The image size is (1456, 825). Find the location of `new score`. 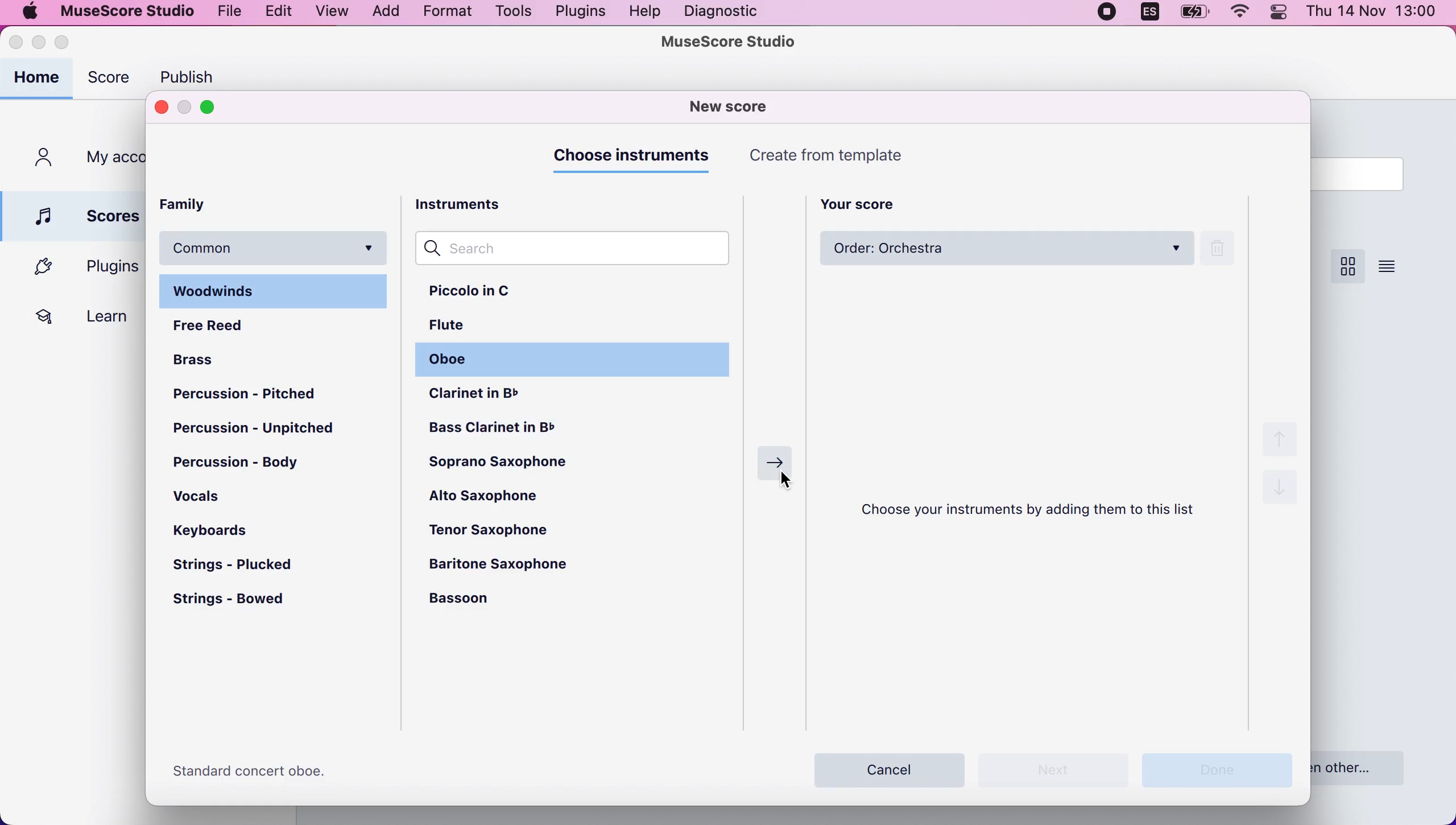

new score is located at coordinates (734, 106).